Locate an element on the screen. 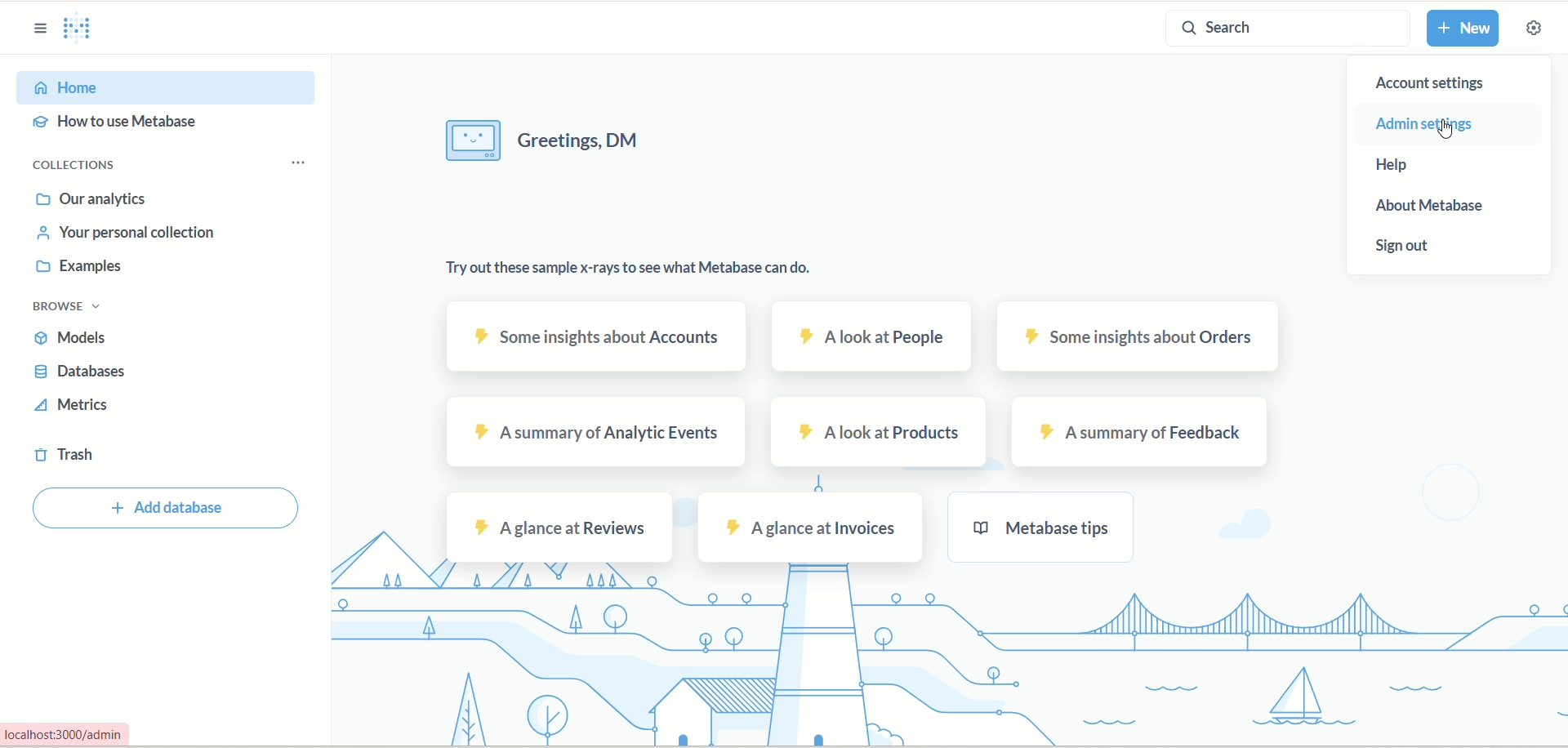  show/hide sidebar is located at coordinates (42, 29).